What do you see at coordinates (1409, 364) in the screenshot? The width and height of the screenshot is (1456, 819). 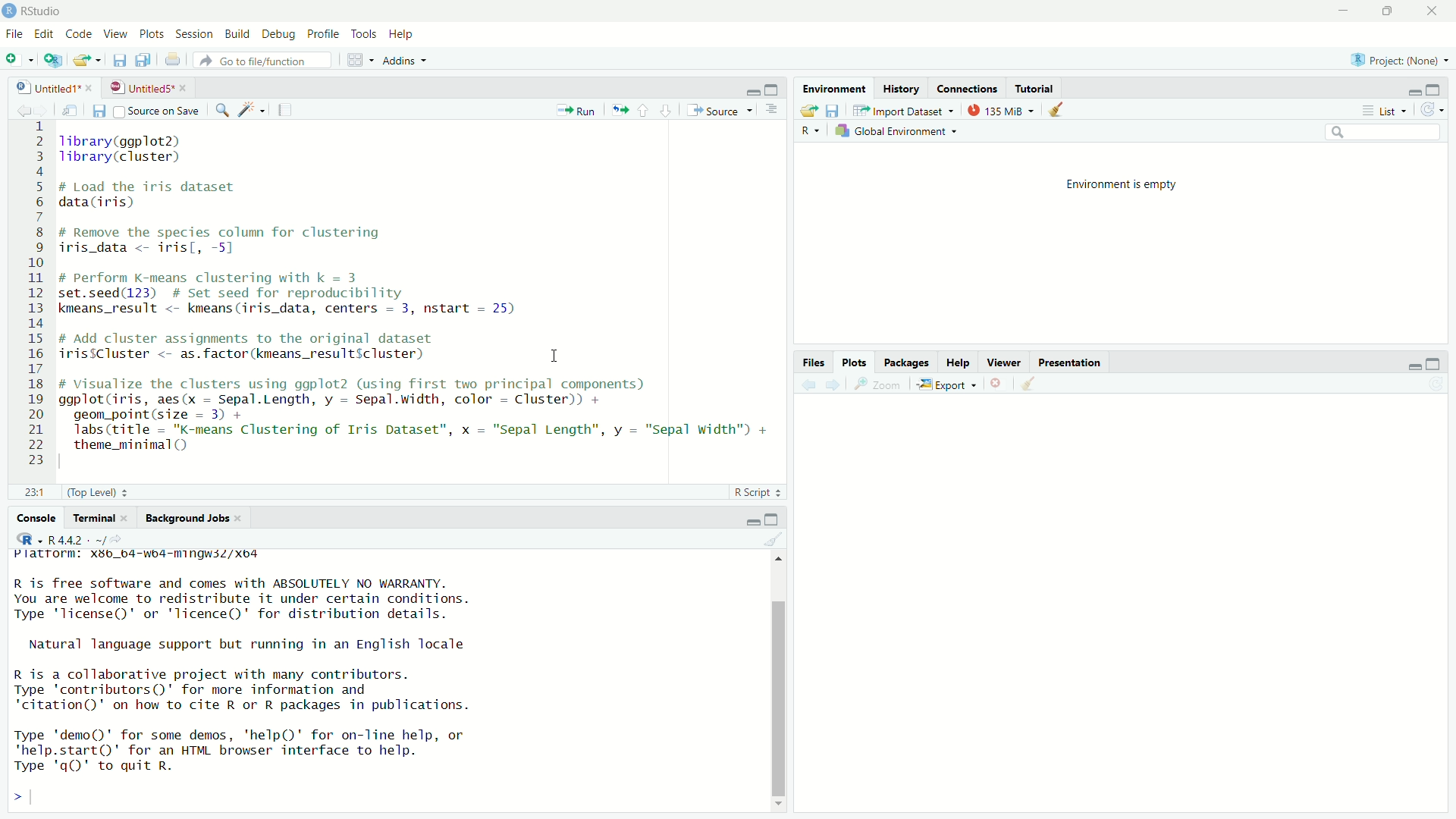 I see `minimize` at bounding box center [1409, 364].